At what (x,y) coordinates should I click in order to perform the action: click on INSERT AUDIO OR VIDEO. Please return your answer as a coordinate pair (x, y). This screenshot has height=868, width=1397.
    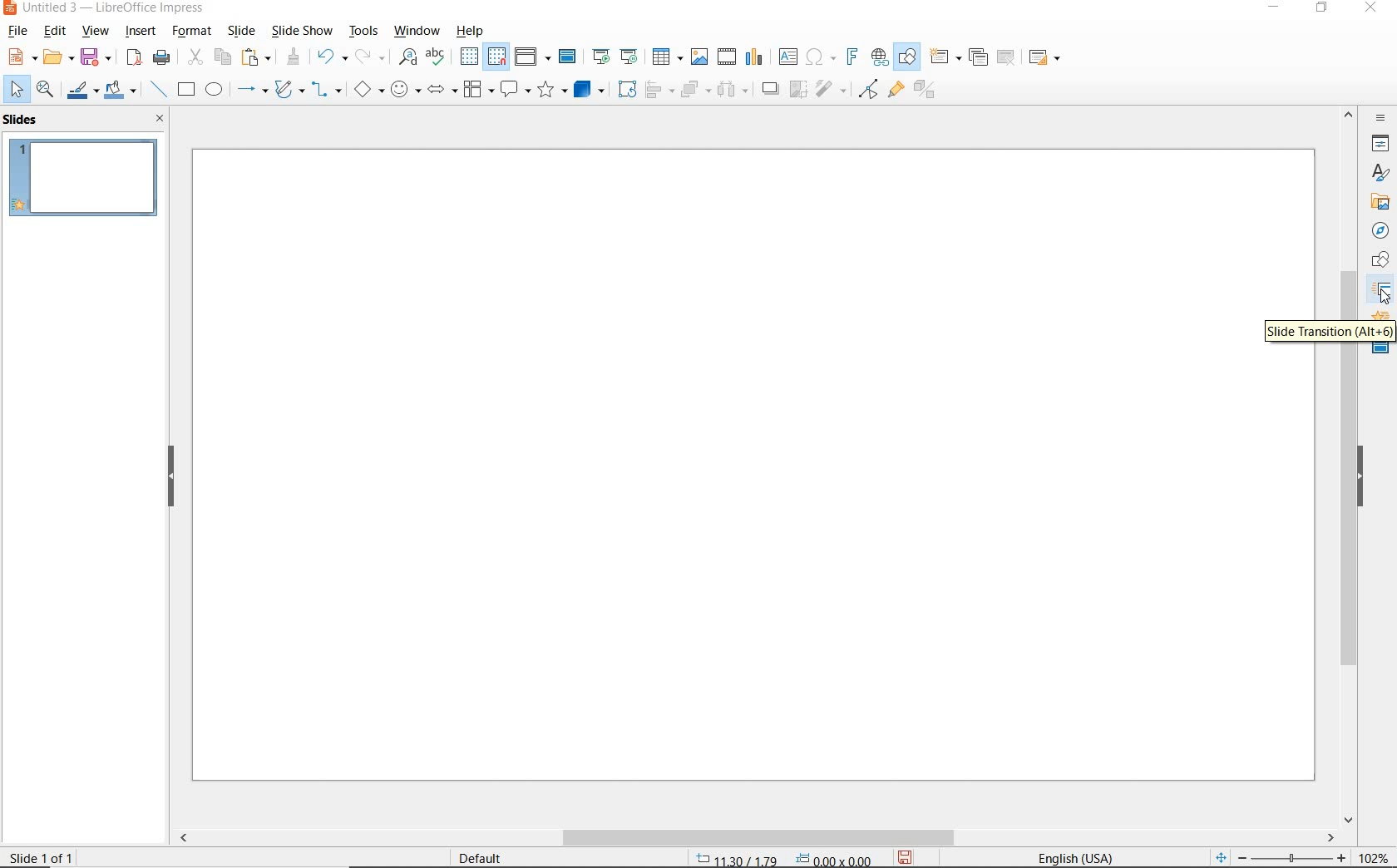
    Looking at the image, I should click on (728, 57).